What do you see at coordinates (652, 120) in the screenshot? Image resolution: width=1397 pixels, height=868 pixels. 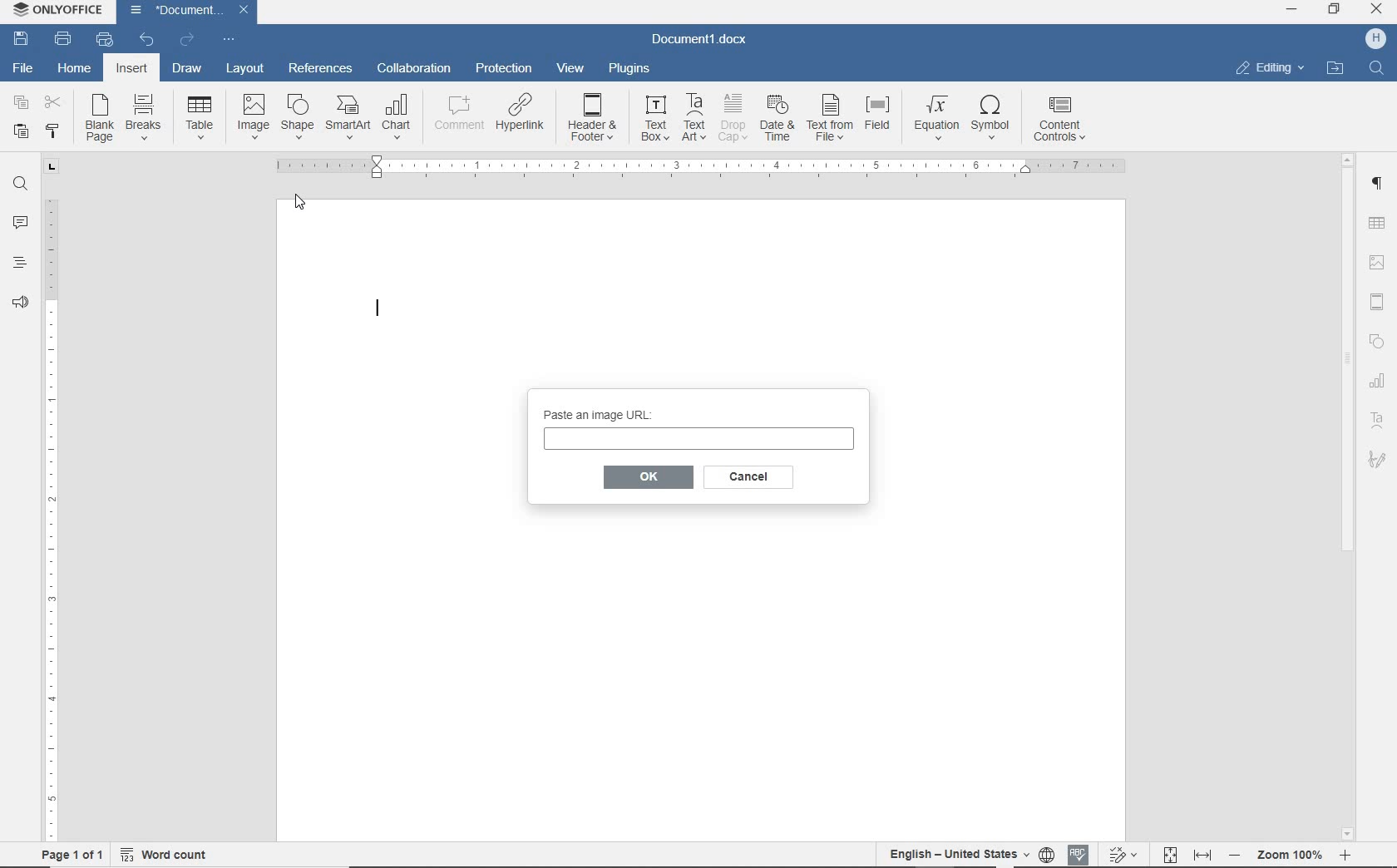 I see `text box` at bounding box center [652, 120].